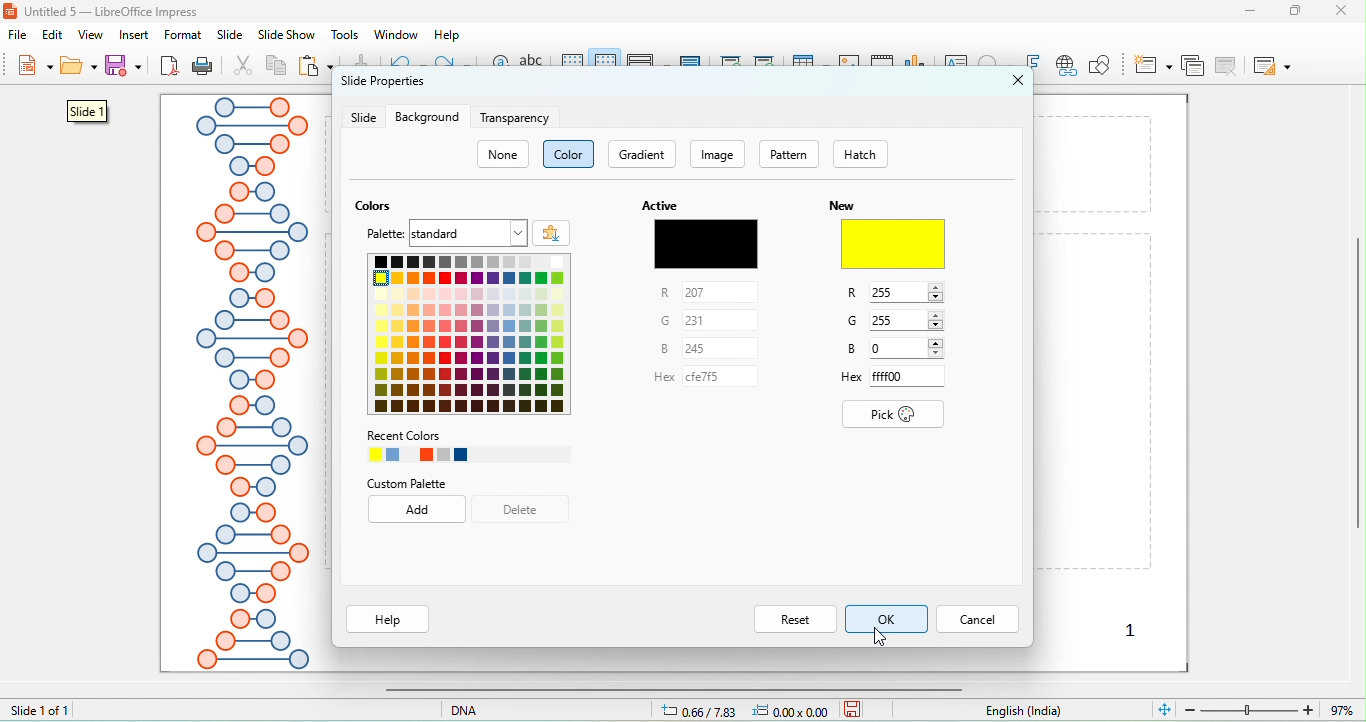 This screenshot has height=722, width=1366. Describe the element at coordinates (897, 244) in the screenshot. I see `selected color changed` at that location.